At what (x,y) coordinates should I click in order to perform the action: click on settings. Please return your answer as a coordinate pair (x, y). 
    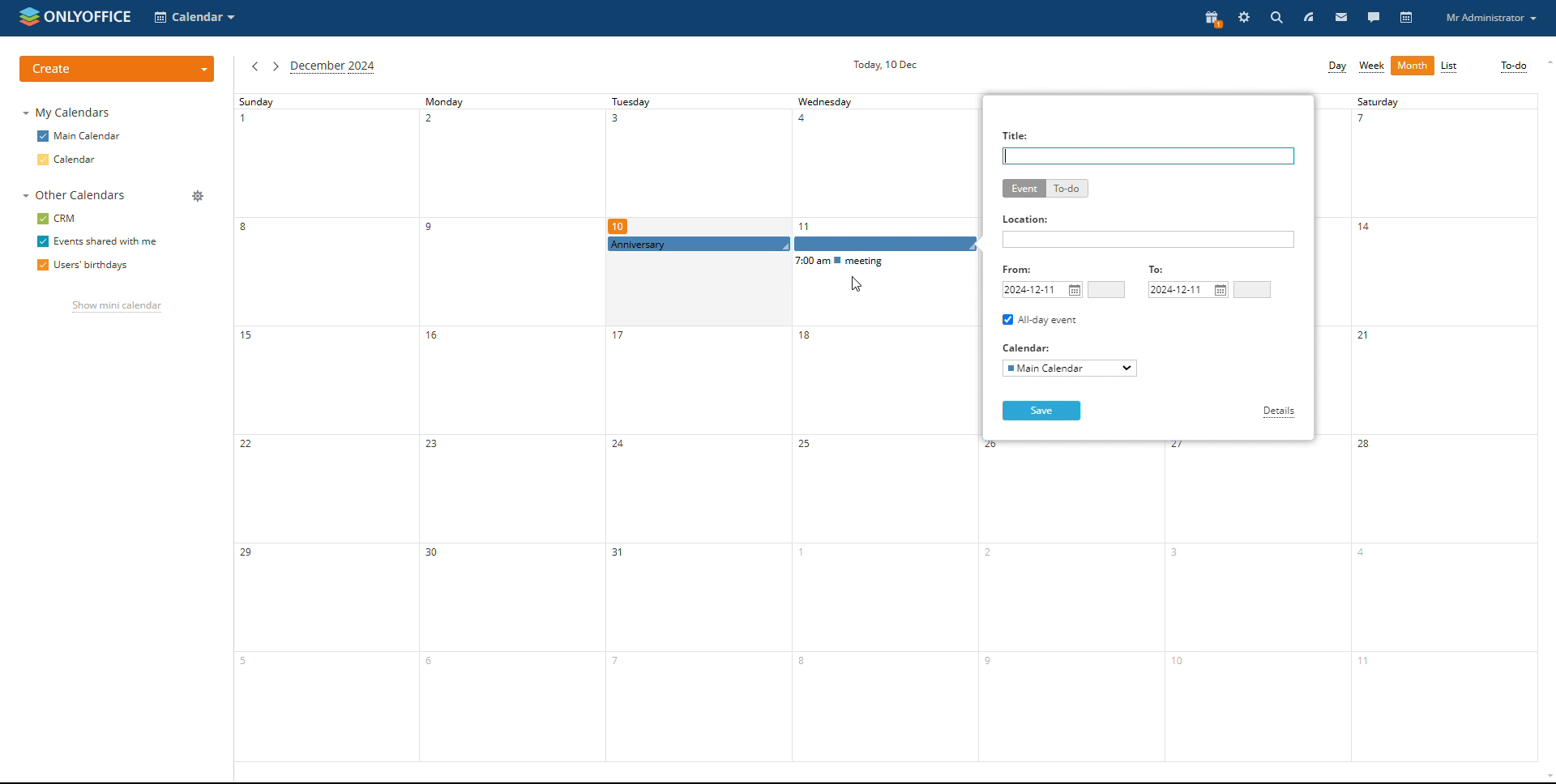
    Looking at the image, I should click on (1243, 18).